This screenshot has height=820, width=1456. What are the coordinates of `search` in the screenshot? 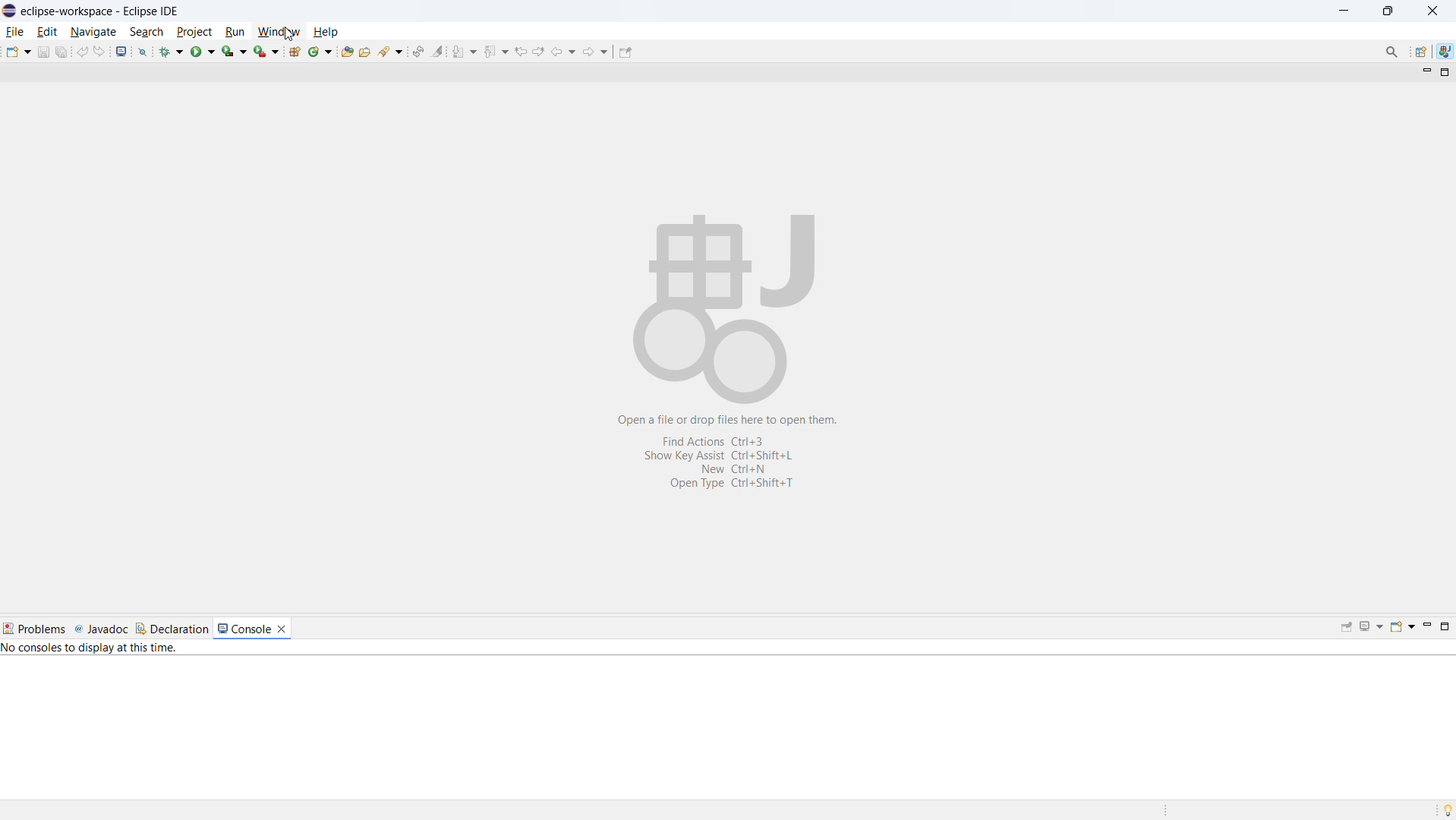 It's located at (147, 32).